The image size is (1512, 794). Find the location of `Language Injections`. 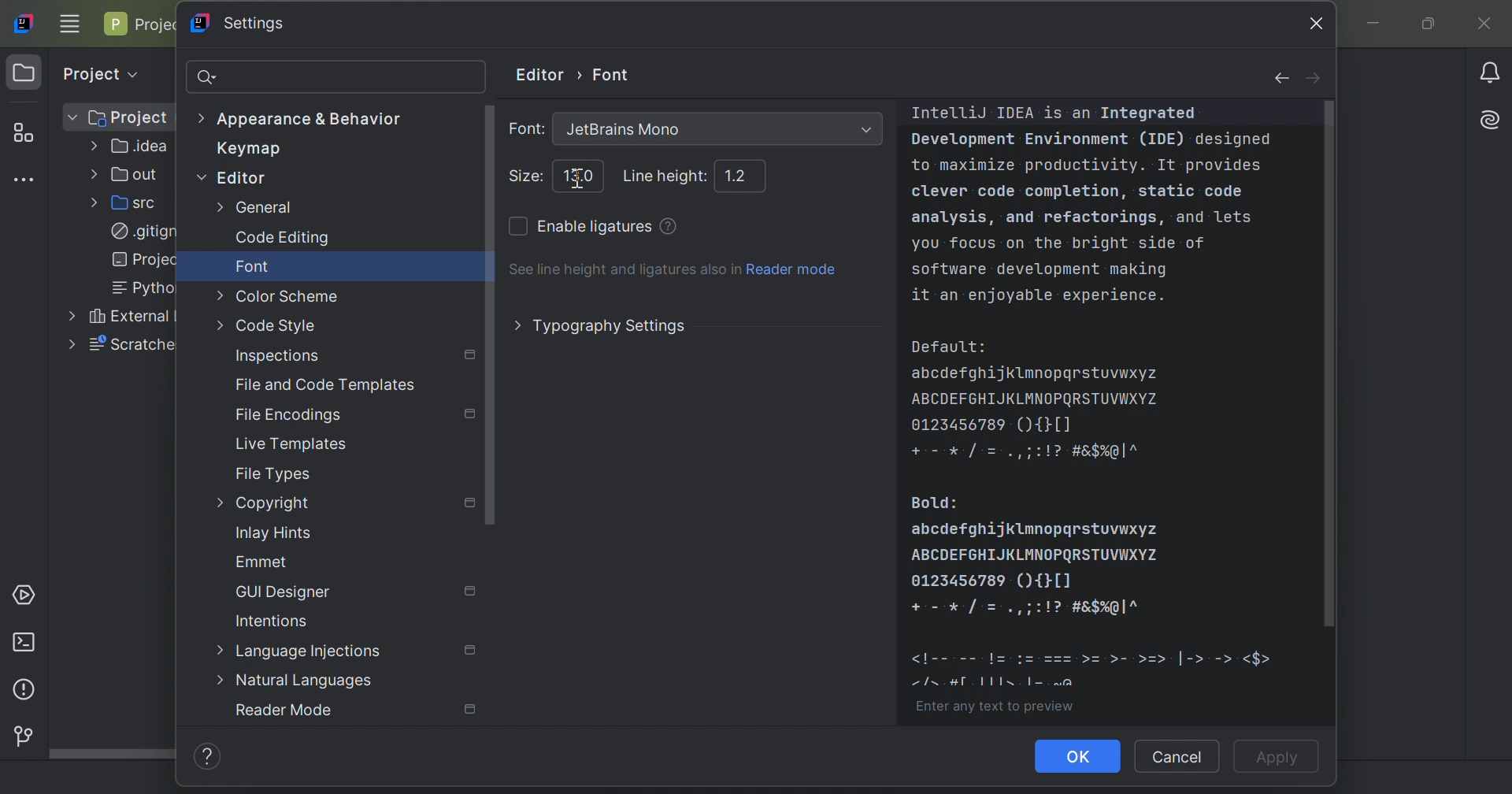

Language Injections is located at coordinates (302, 652).